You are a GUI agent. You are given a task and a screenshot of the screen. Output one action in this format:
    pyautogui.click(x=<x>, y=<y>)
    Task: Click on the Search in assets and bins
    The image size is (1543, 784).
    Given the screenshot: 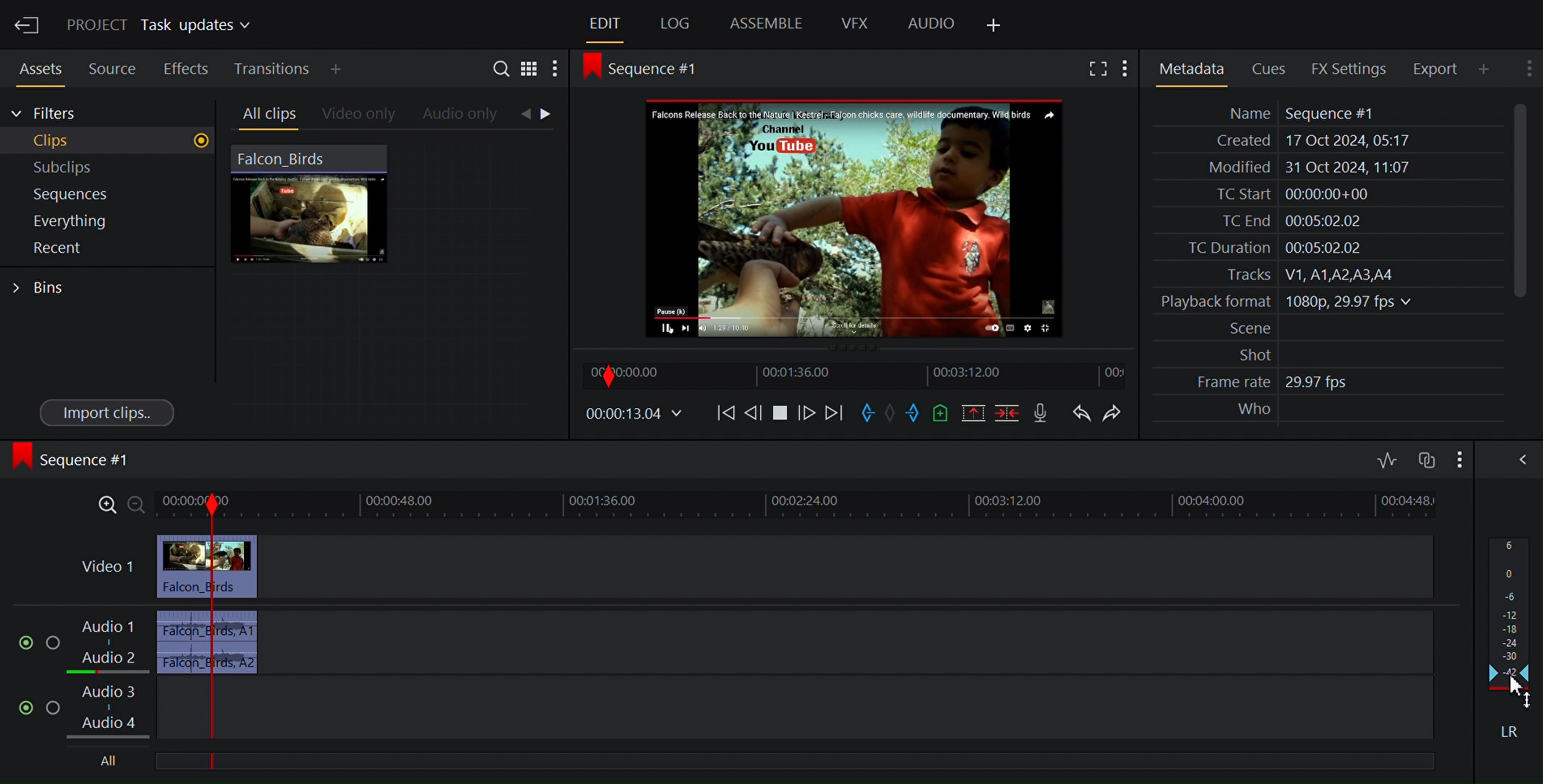 What is the action you would take?
    pyautogui.click(x=500, y=66)
    